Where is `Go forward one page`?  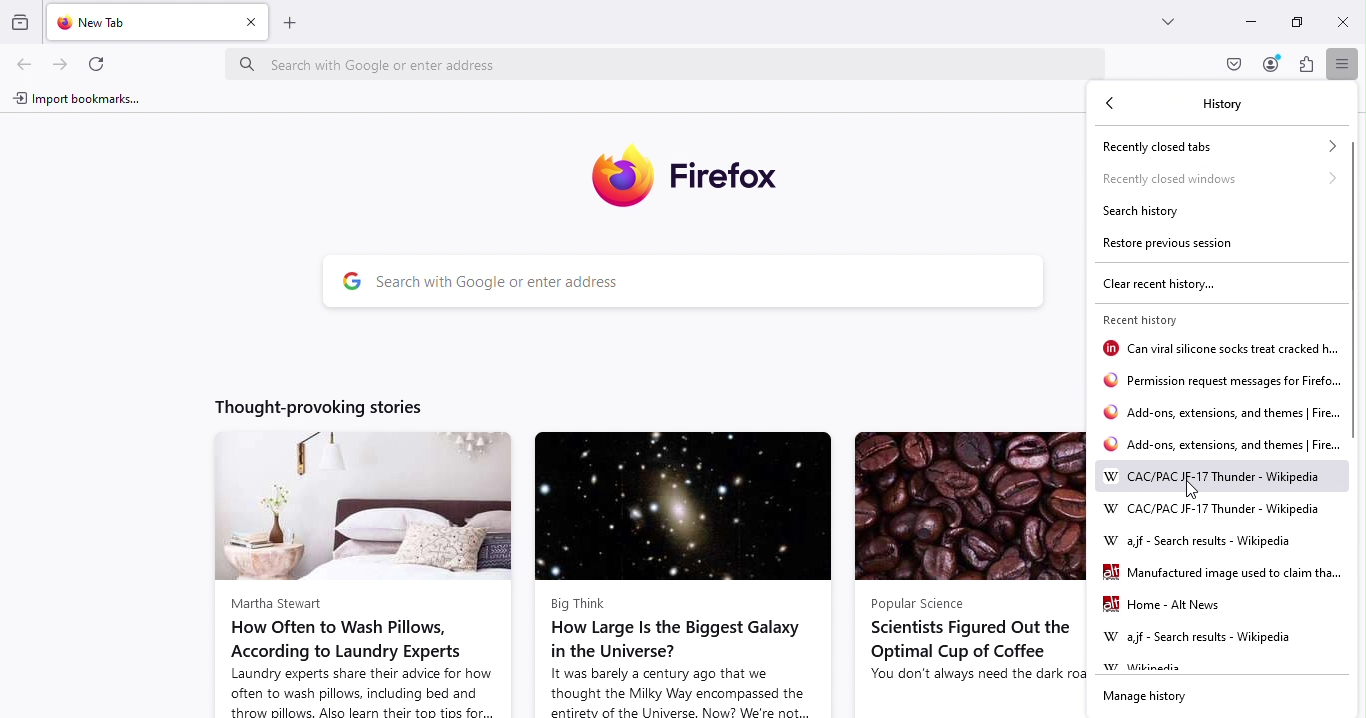
Go forward one page is located at coordinates (60, 63).